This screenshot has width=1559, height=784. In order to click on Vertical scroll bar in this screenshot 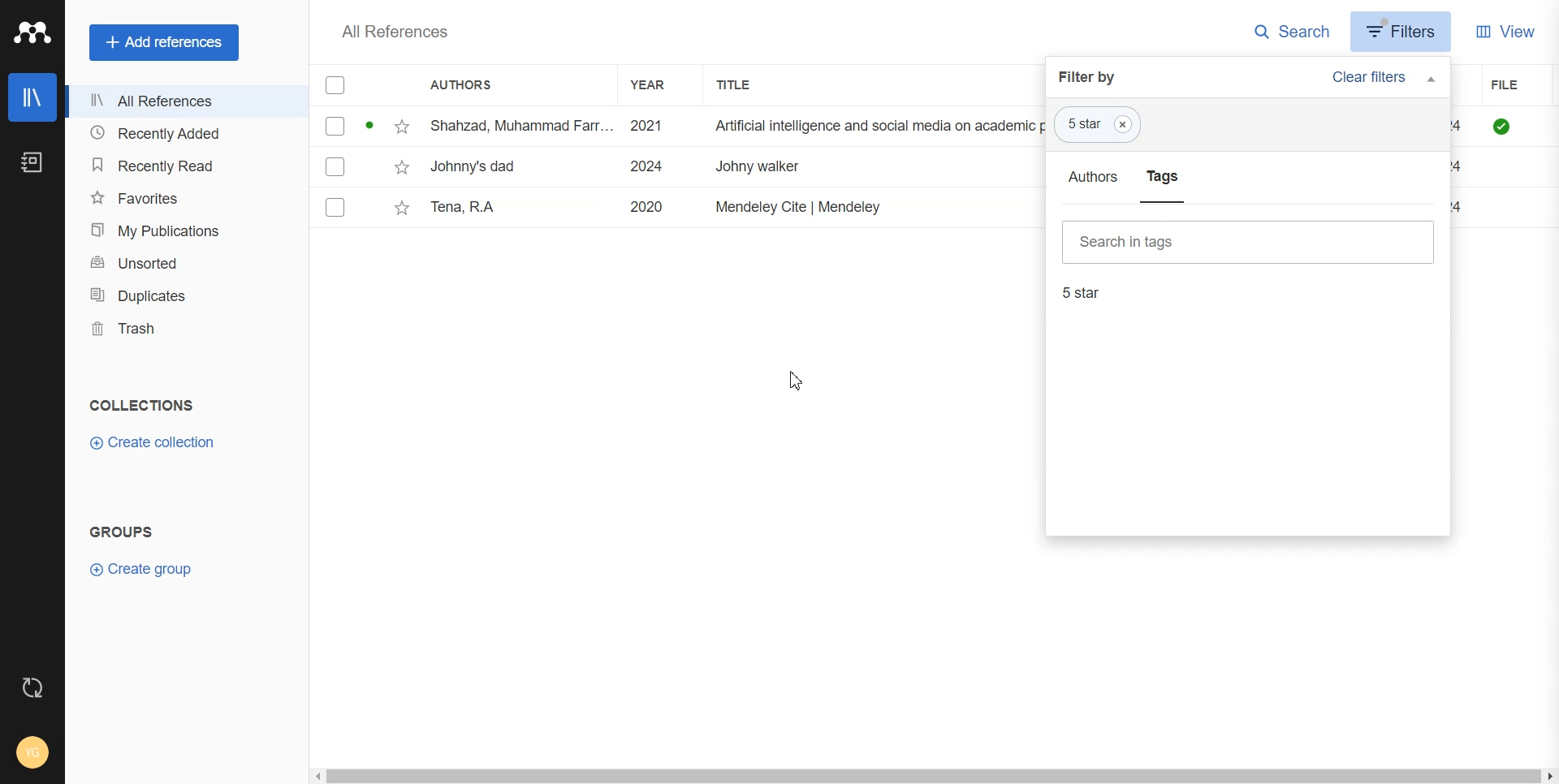, I will do `click(1549, 424)`.